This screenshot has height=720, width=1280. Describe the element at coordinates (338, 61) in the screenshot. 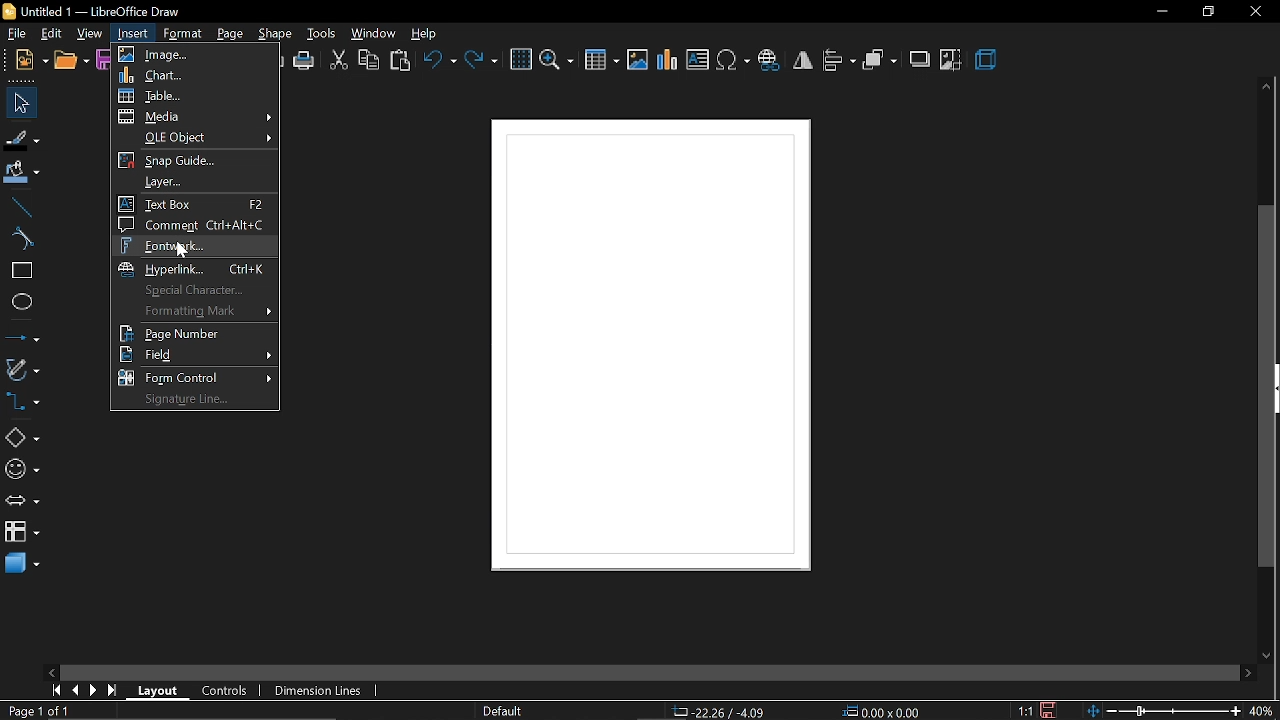

I see `cut ` at that location.